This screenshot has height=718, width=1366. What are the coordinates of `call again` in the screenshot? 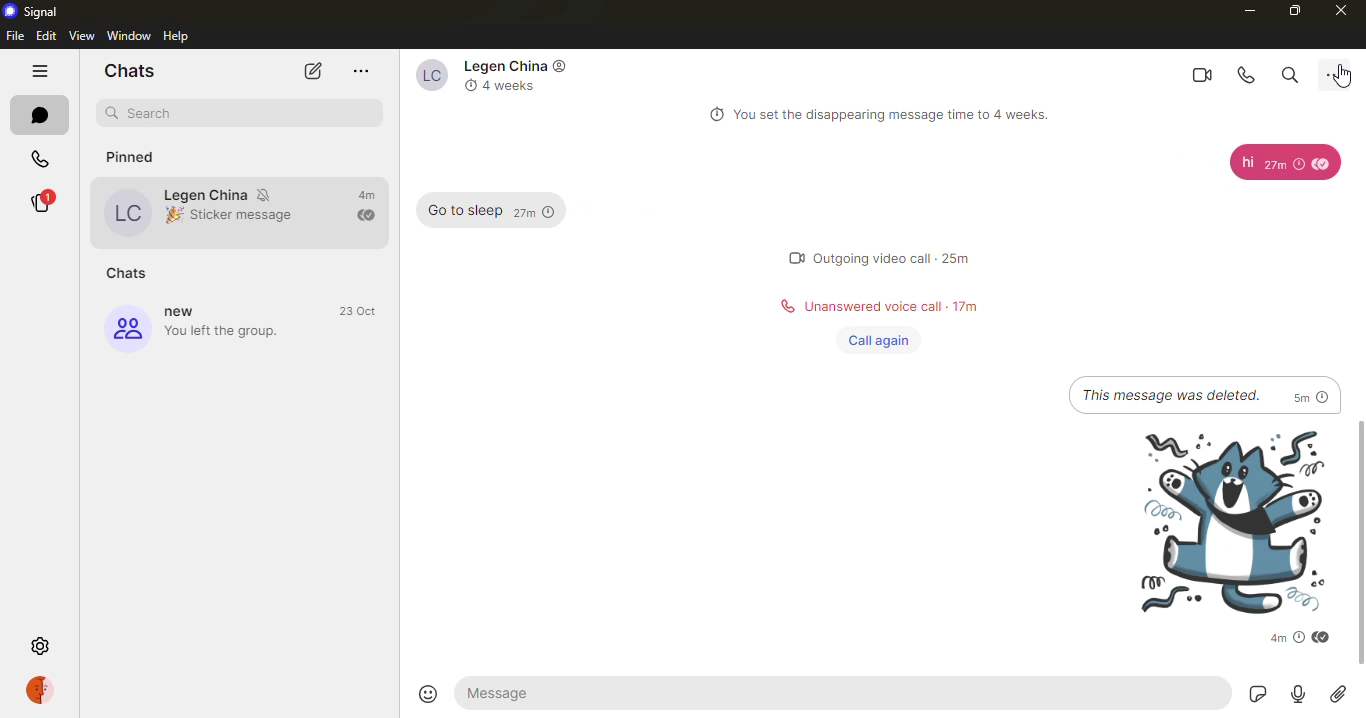 It's located at (875, 339).